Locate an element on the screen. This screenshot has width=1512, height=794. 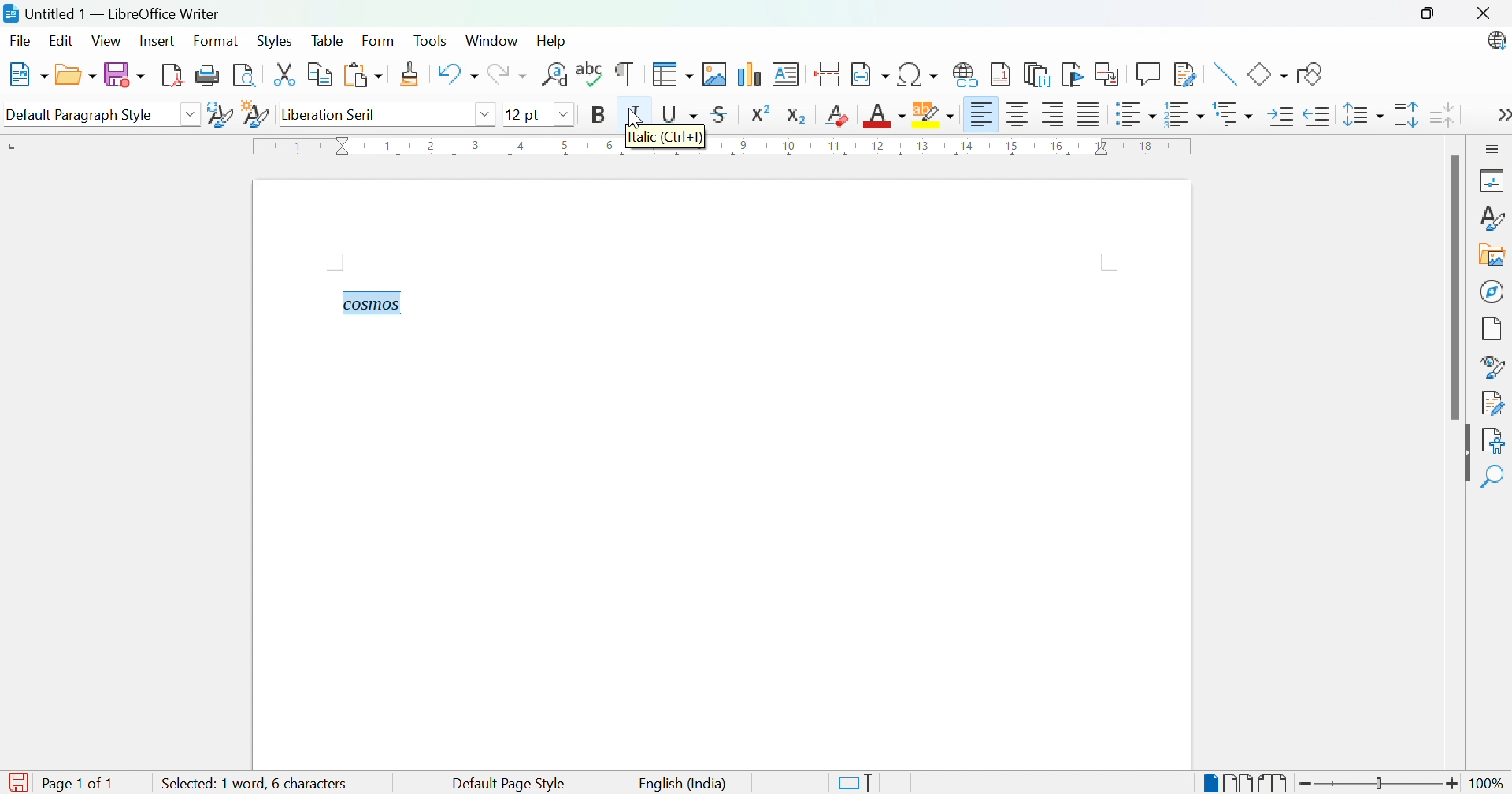
More is located at coordinates (1503, 117).